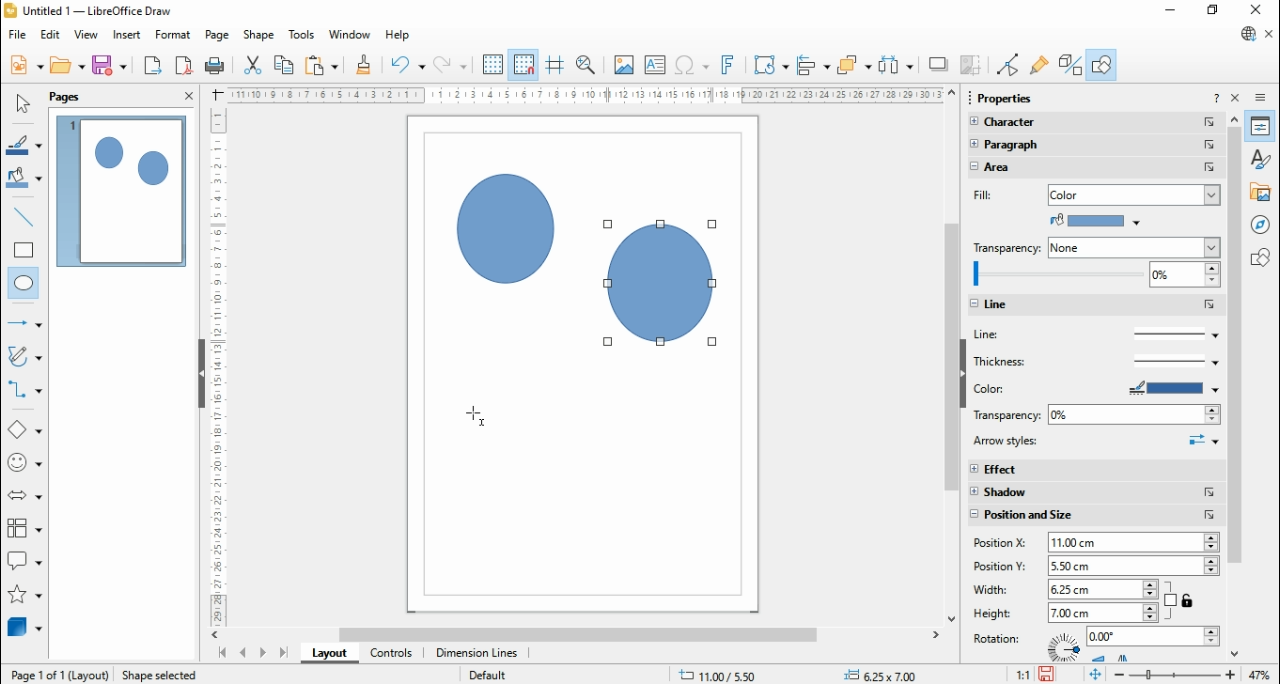  Describe the element at coordinates (1041, 64) in the screenshot. I see `show glue point functions` at that location.